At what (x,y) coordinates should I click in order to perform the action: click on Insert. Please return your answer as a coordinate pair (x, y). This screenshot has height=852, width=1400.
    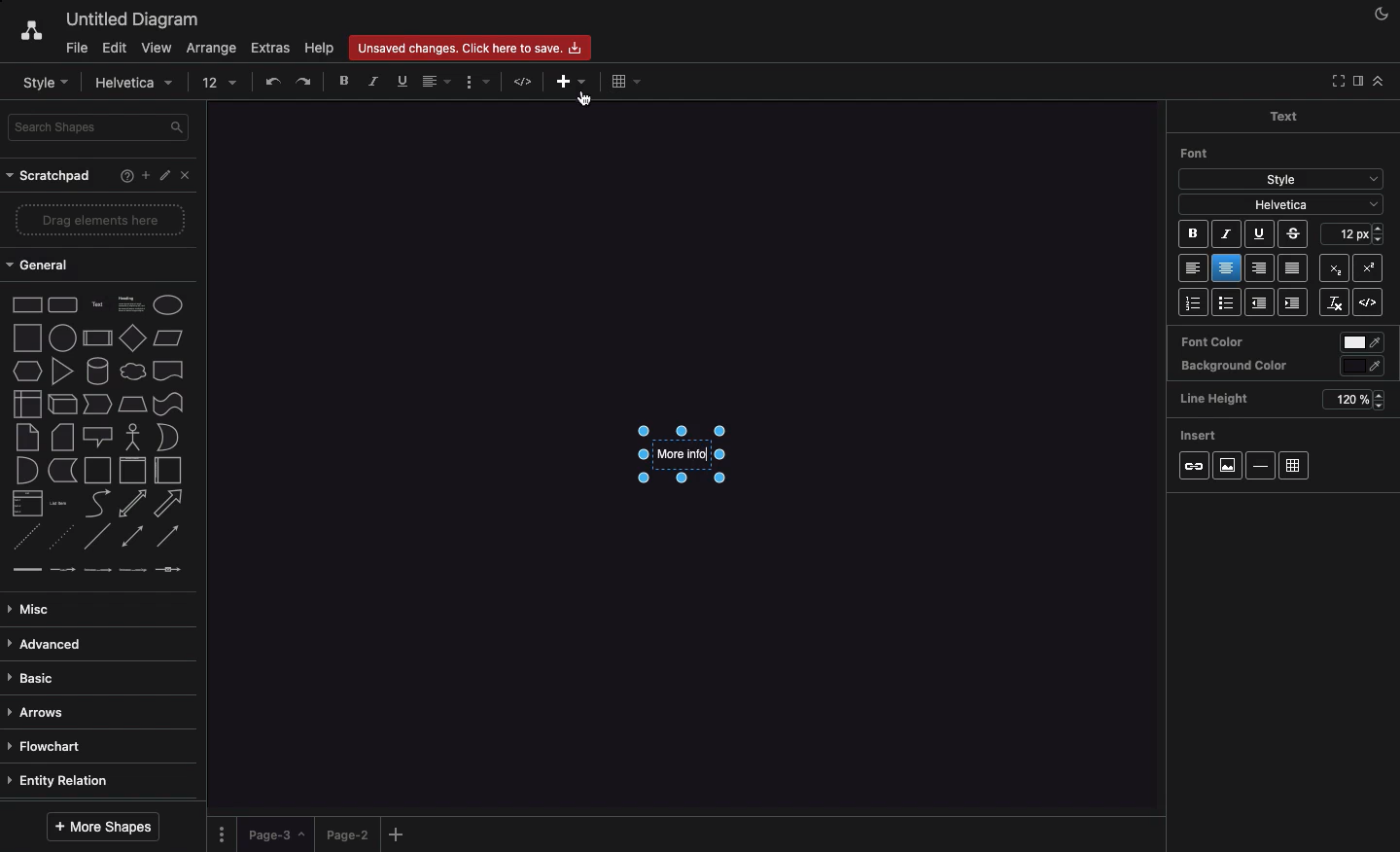
    Looking at the image, I should click on (1200, 432).